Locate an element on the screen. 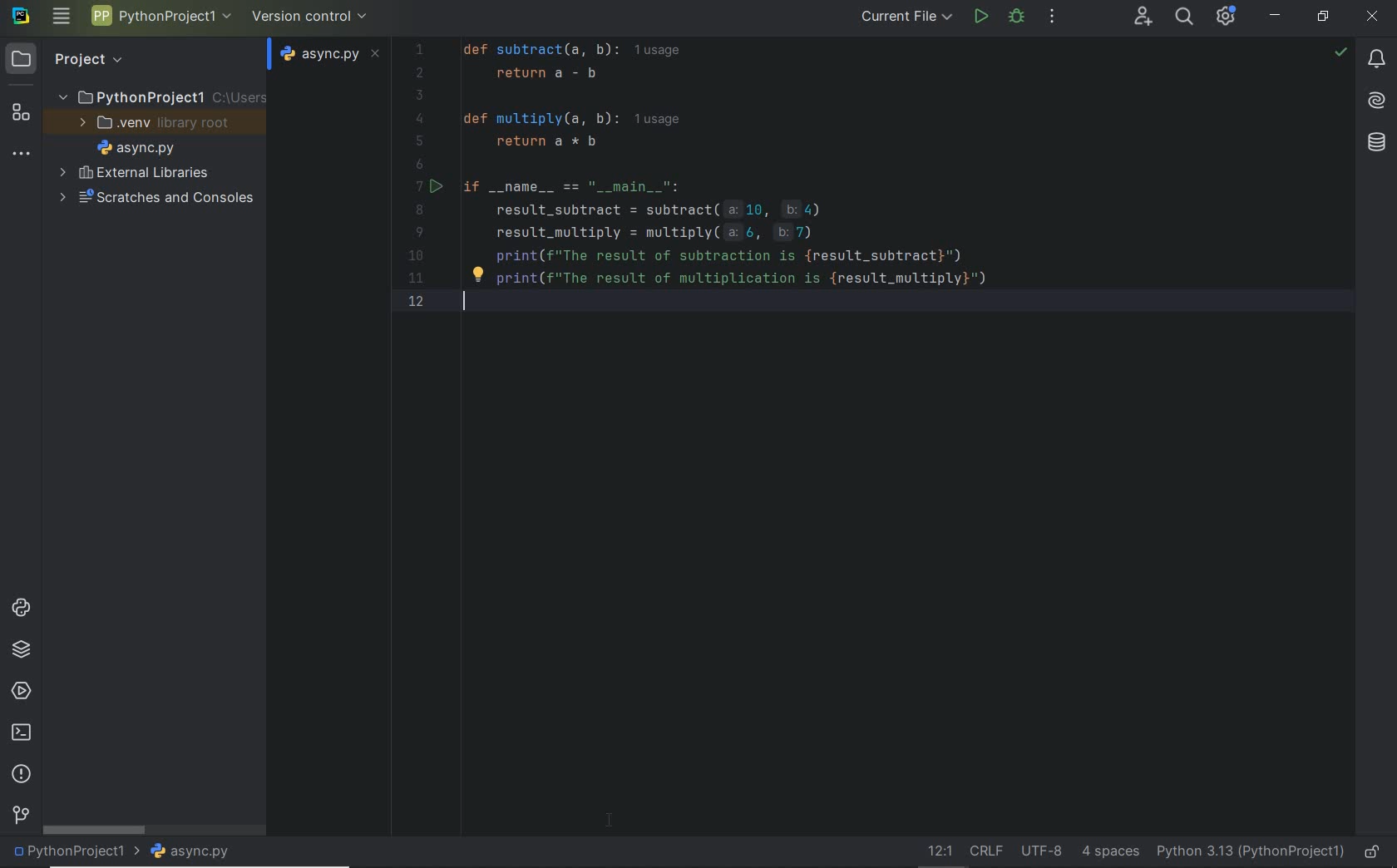 The height and width of the screenshot is (868, 1397). scrollbar is located at coordinates (96, 831).